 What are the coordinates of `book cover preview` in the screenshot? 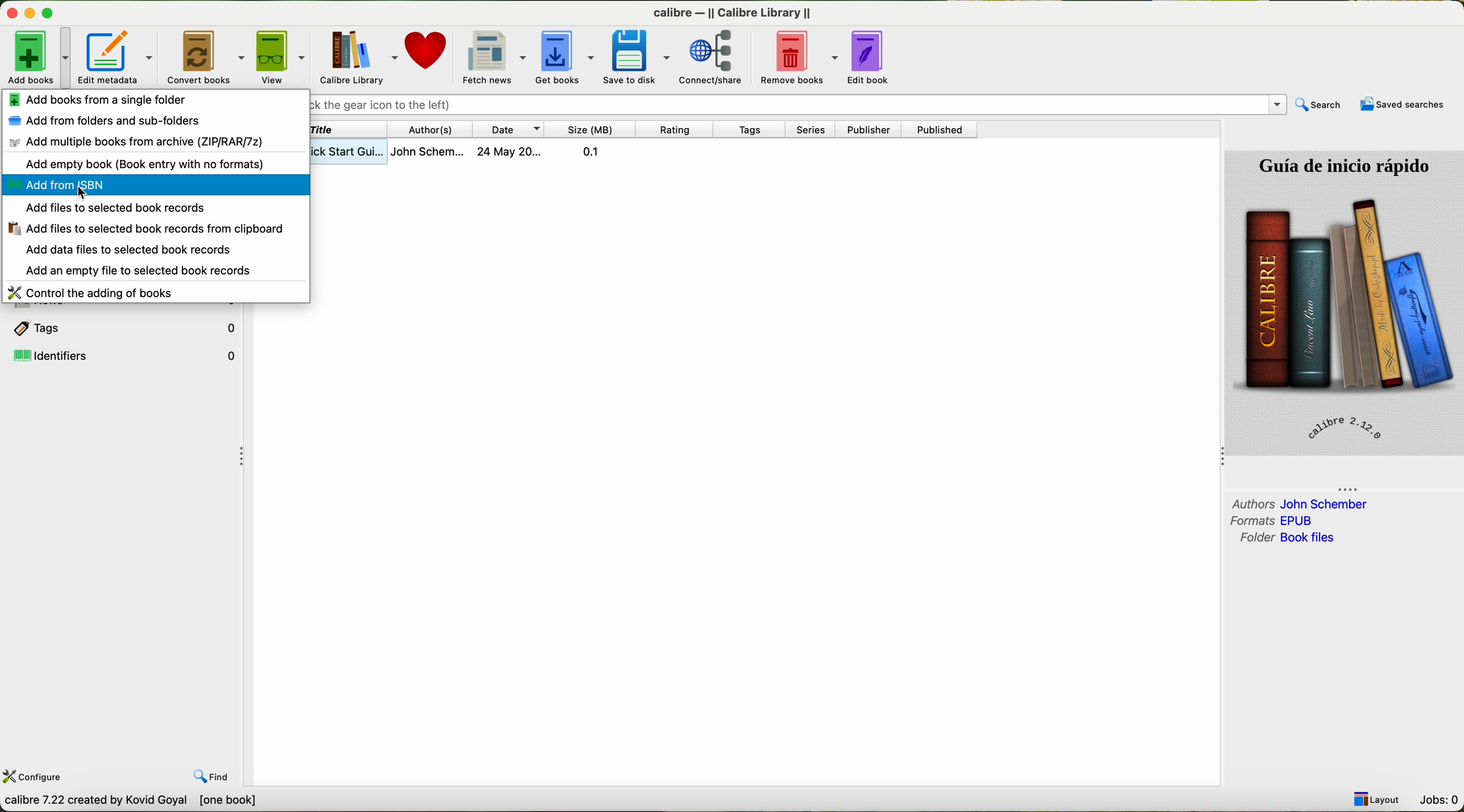 It's located at (1344, 302).